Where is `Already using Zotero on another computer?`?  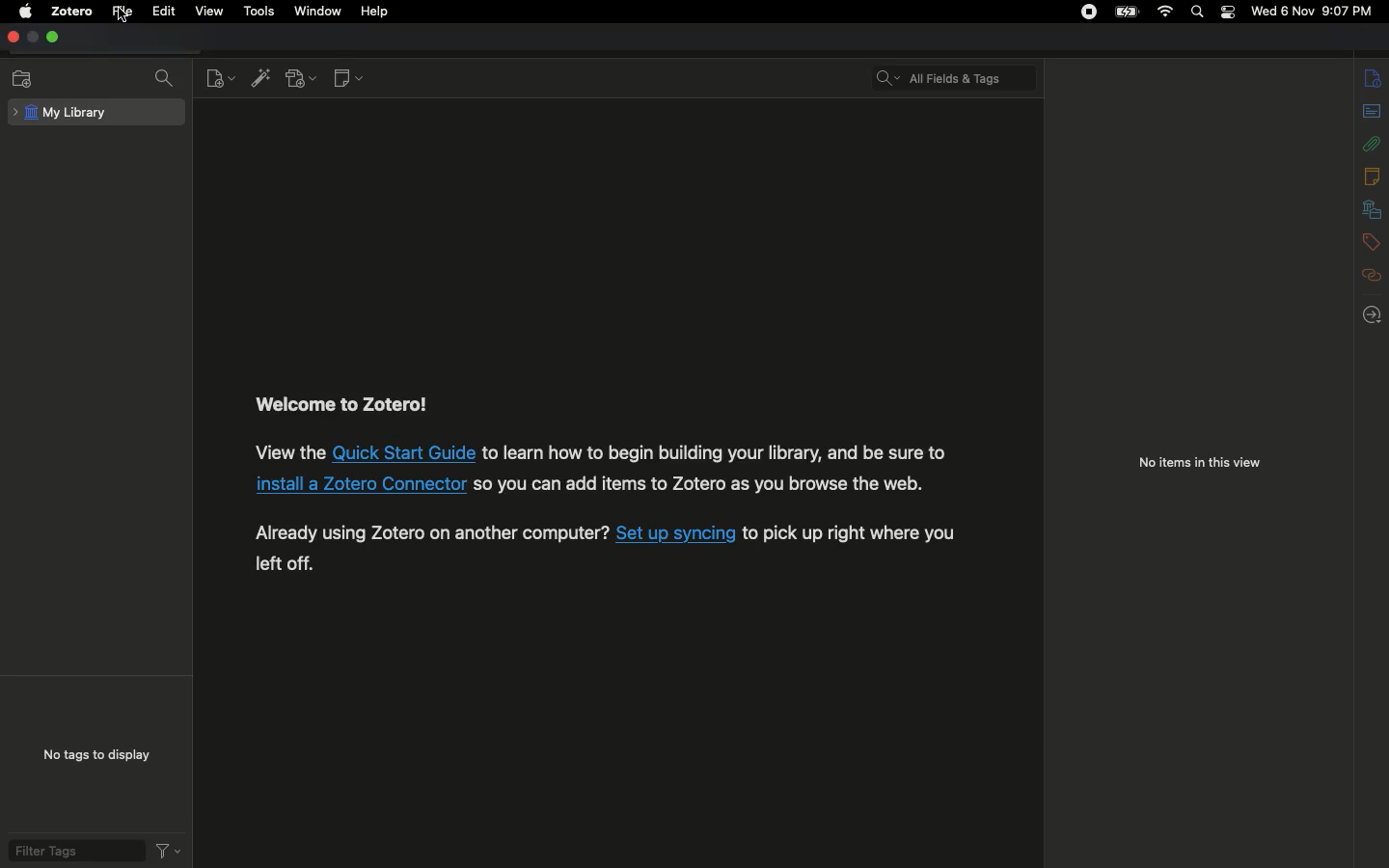 Already using Zotero on another computer? is located at coordinates (432, 532).